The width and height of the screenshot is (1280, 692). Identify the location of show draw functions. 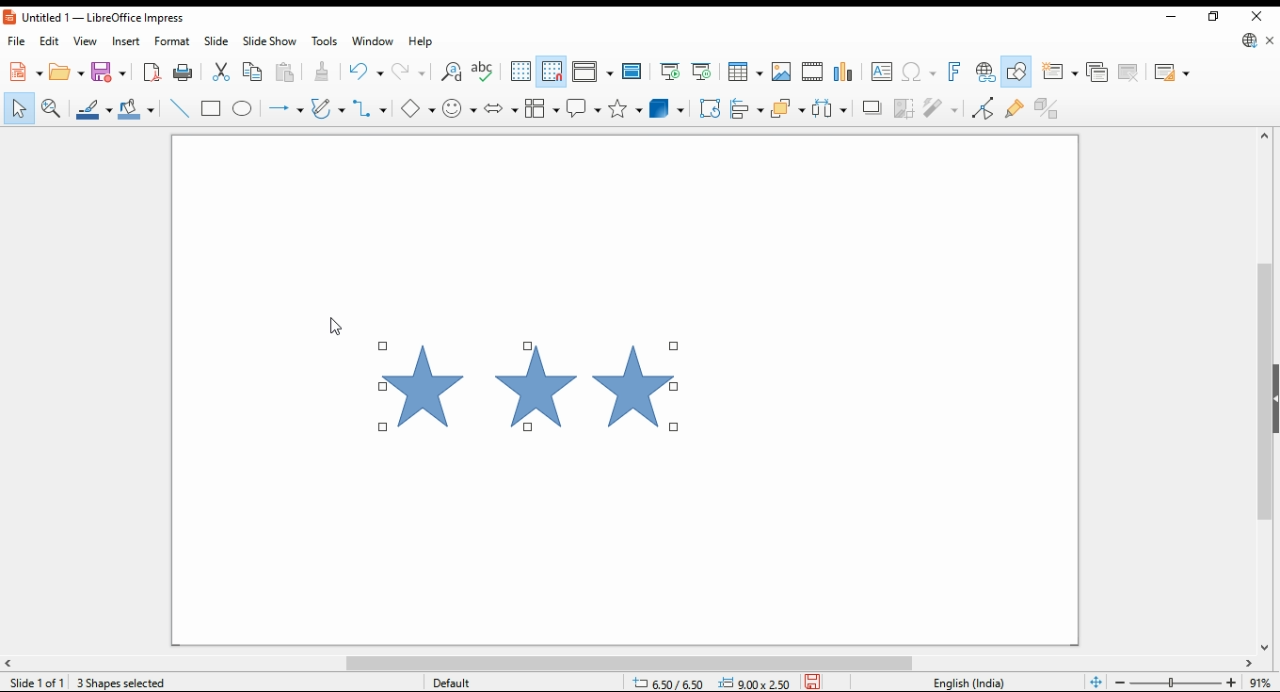
(1015, 71).